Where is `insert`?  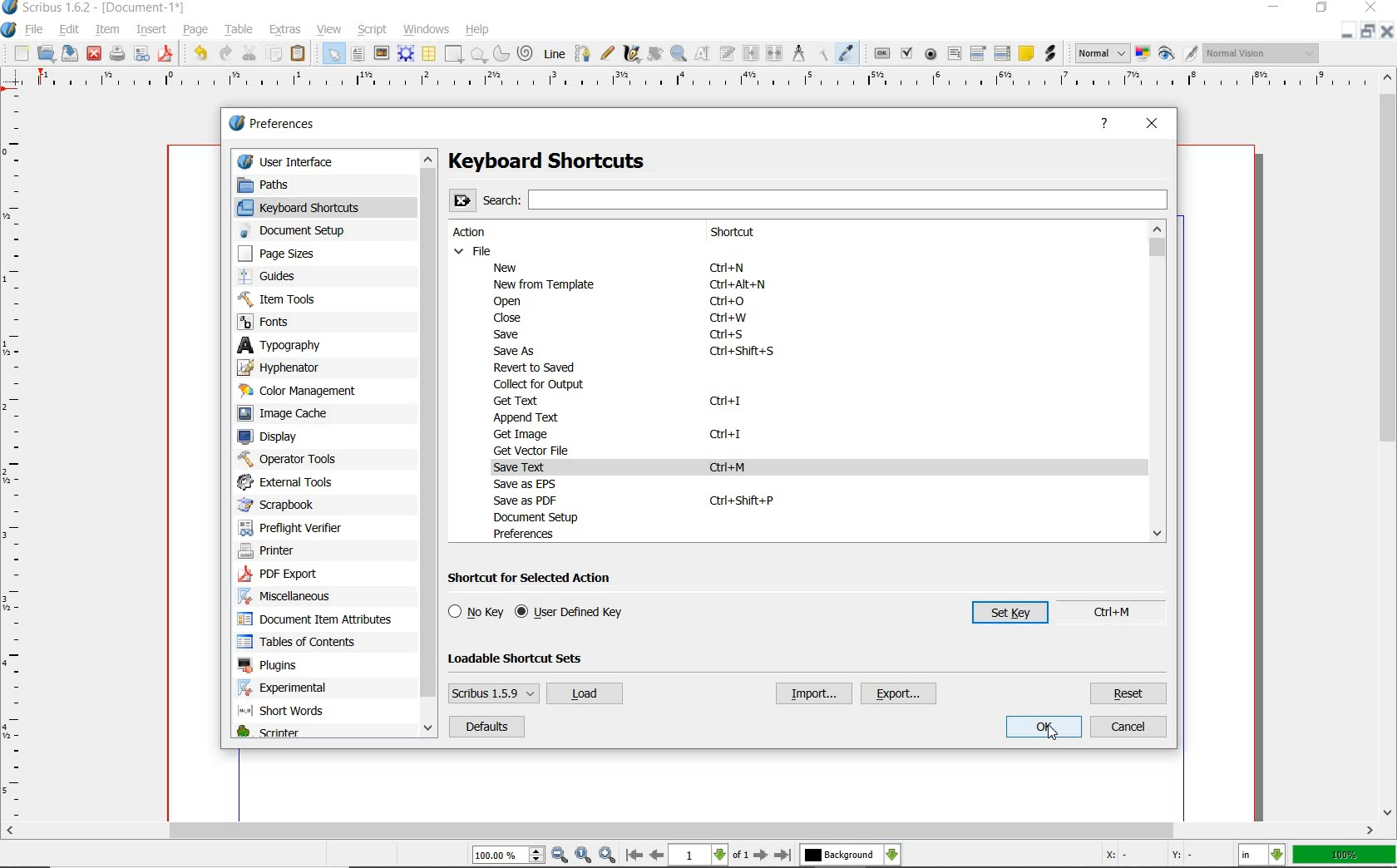
insert is located at coordinates (151, 30).